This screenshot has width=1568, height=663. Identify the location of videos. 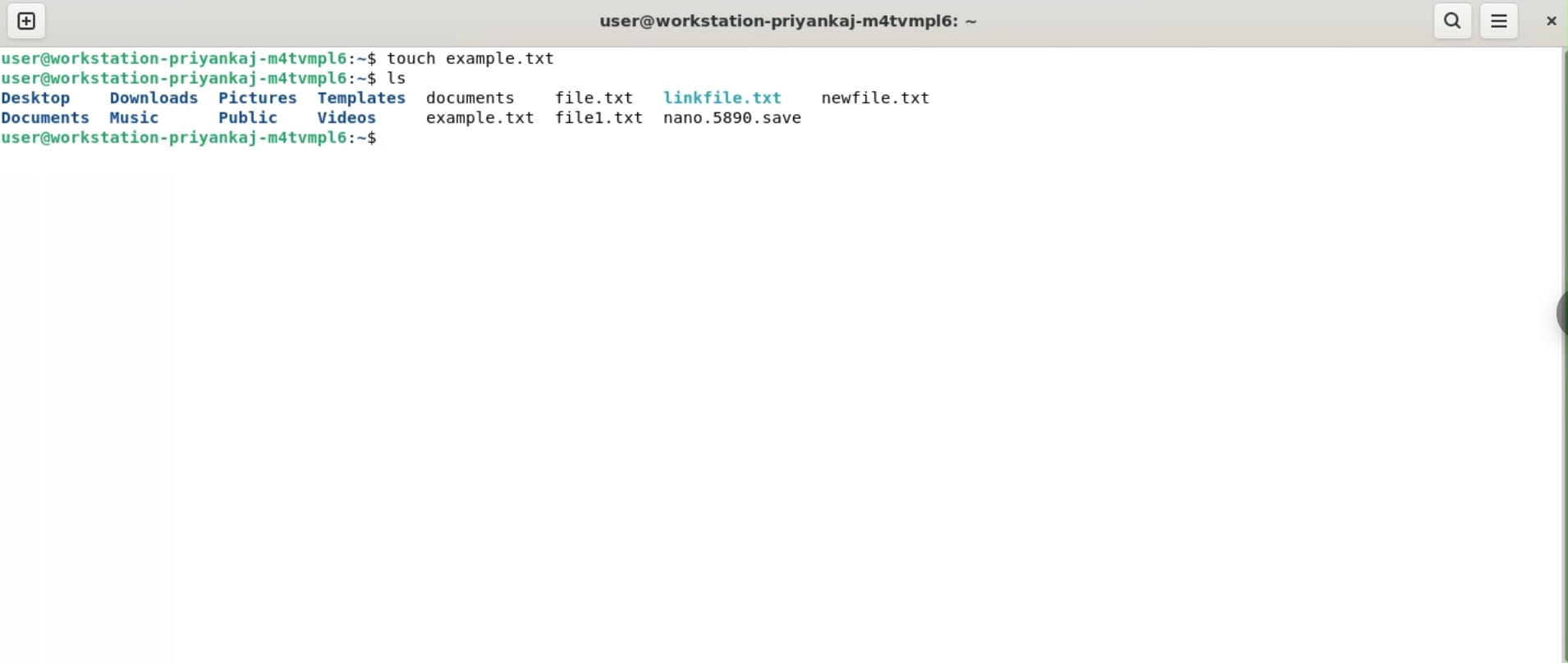
(347, 117).